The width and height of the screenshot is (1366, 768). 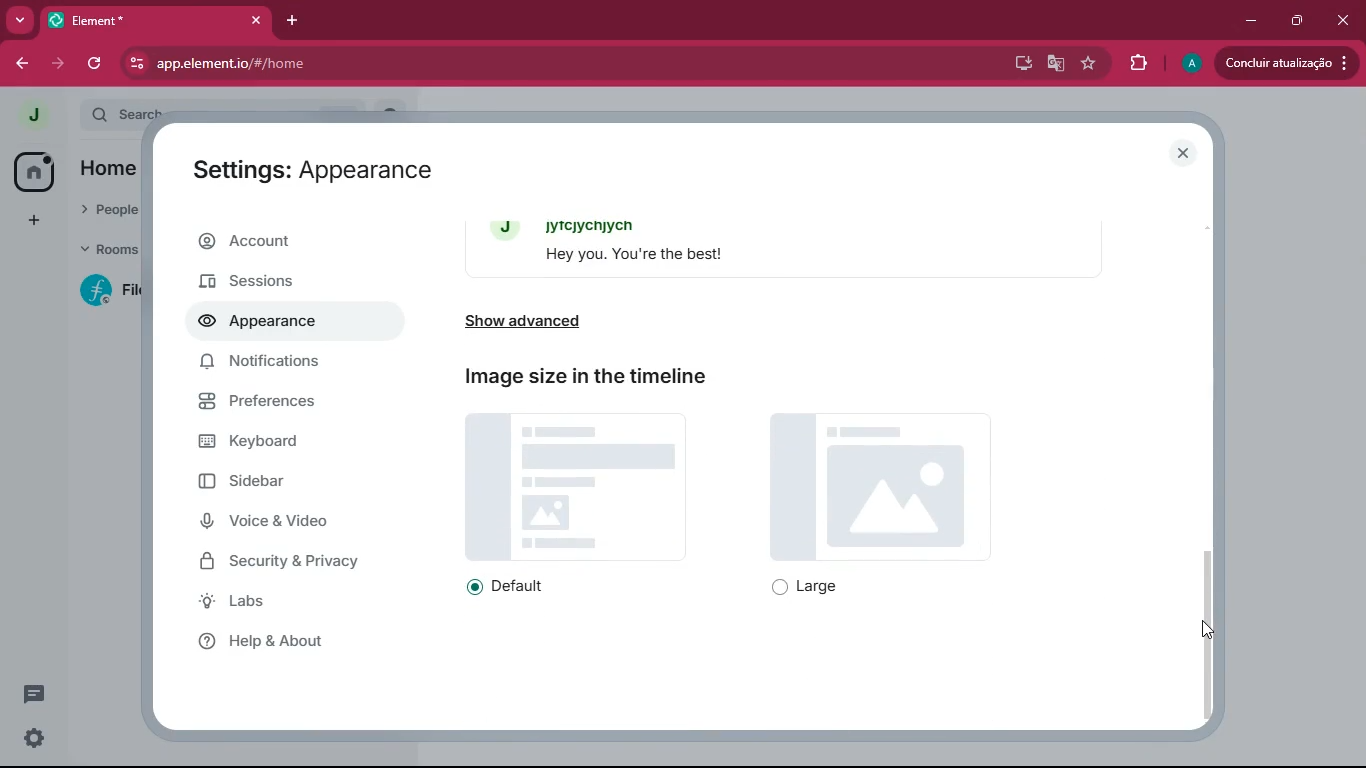 What do you see at coordinates (35, 115) in the screenshot?
I see `profile` at bounding box center [35, 115].